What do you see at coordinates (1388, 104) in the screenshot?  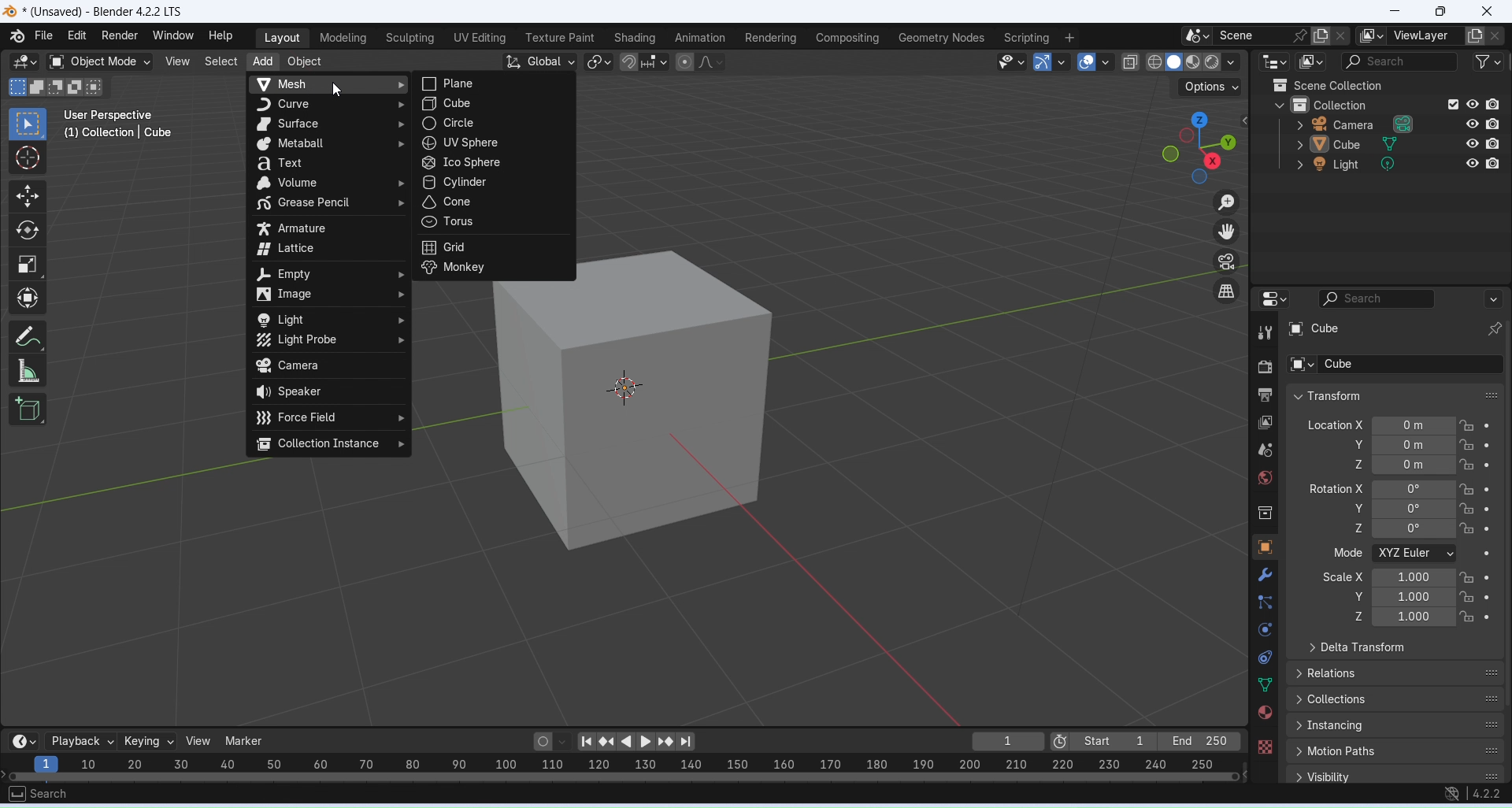 I see `Collection layer` at bounding box center [1388, 104].